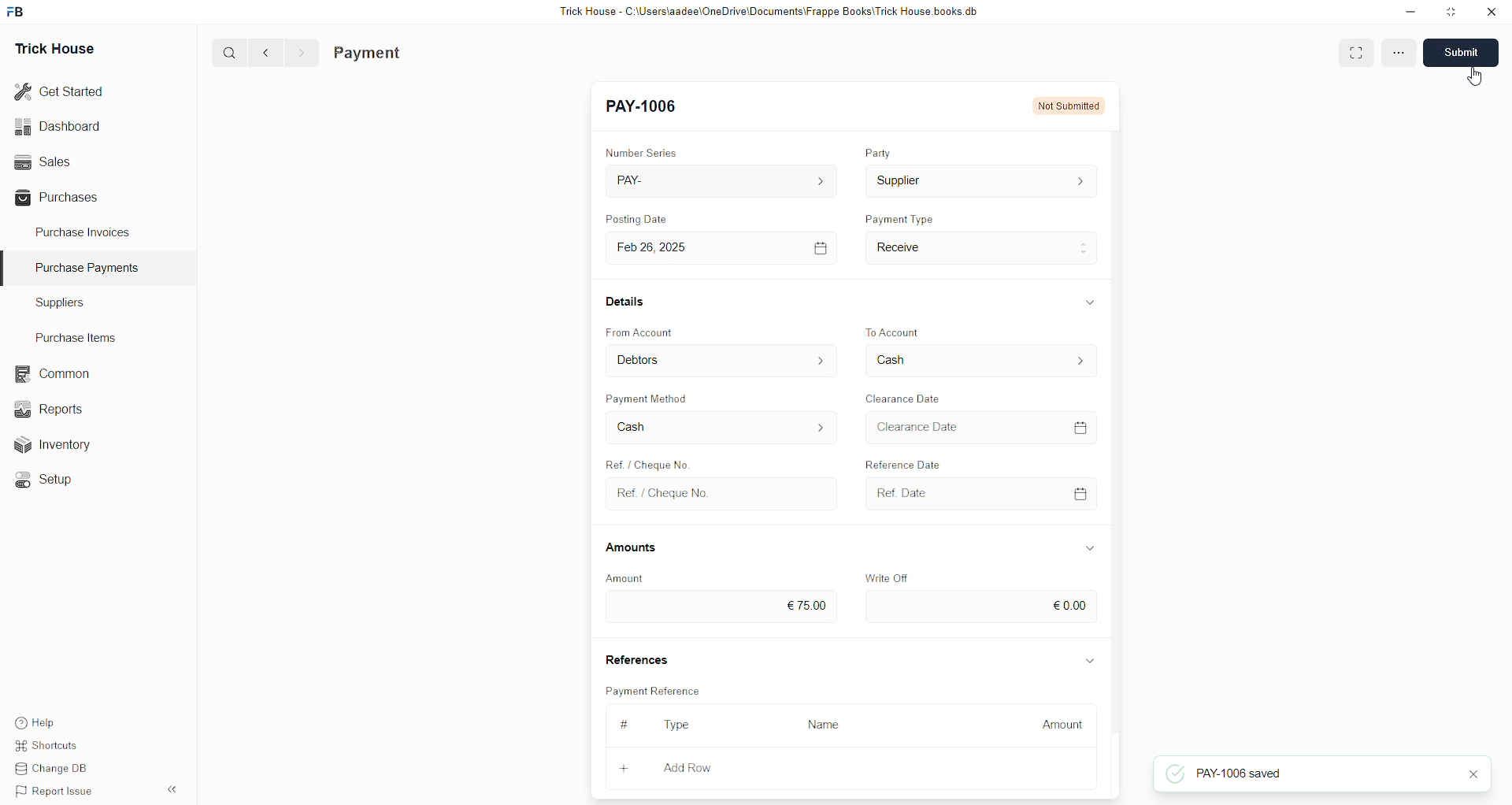 This screenshot has width=1512, height=805. Describe the element at coordinates (47, 746) in the screenshot. I see `Shortcuts` at that location.